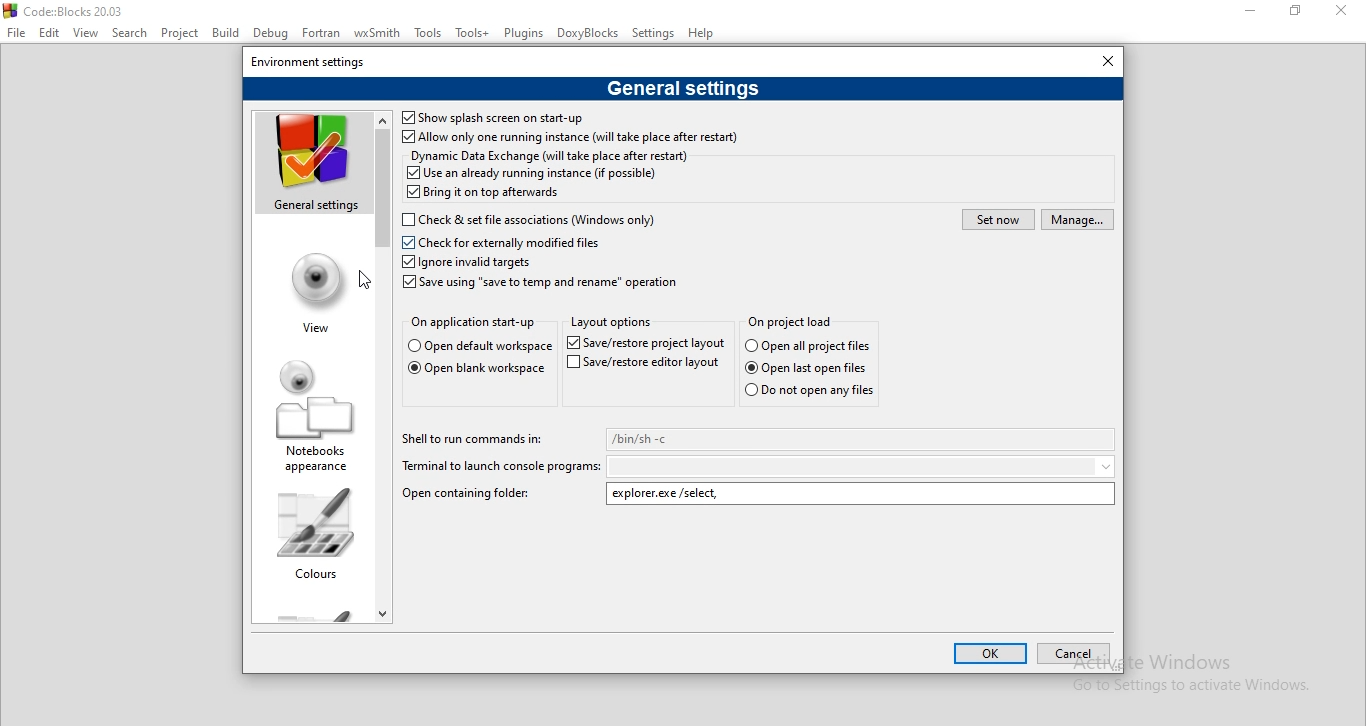 The height and width of the screenshot is (726, 1366). I want to click on Open last open files, so click(806, 368).